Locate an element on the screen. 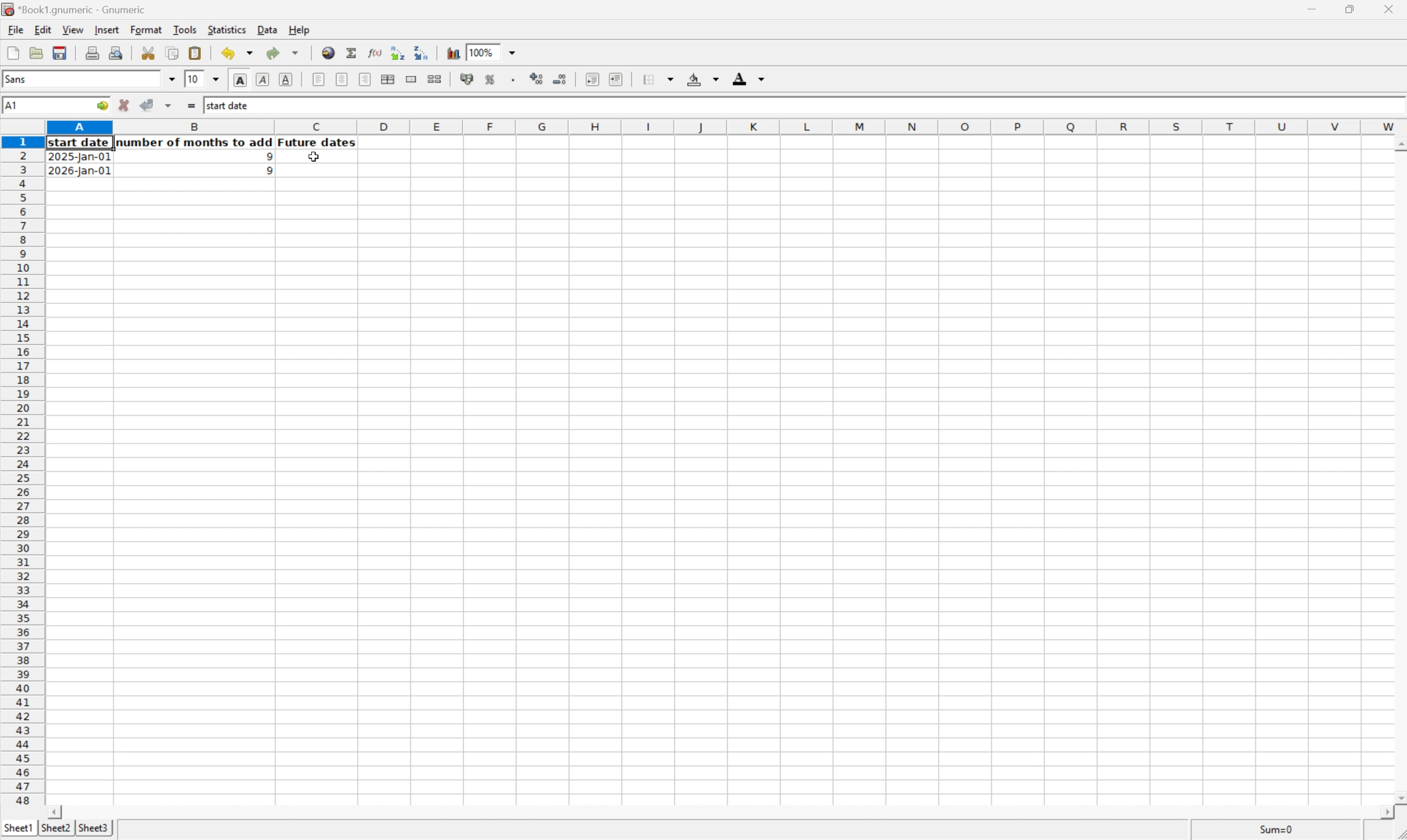  Scroll Right is located at coordinates (1383, 812).